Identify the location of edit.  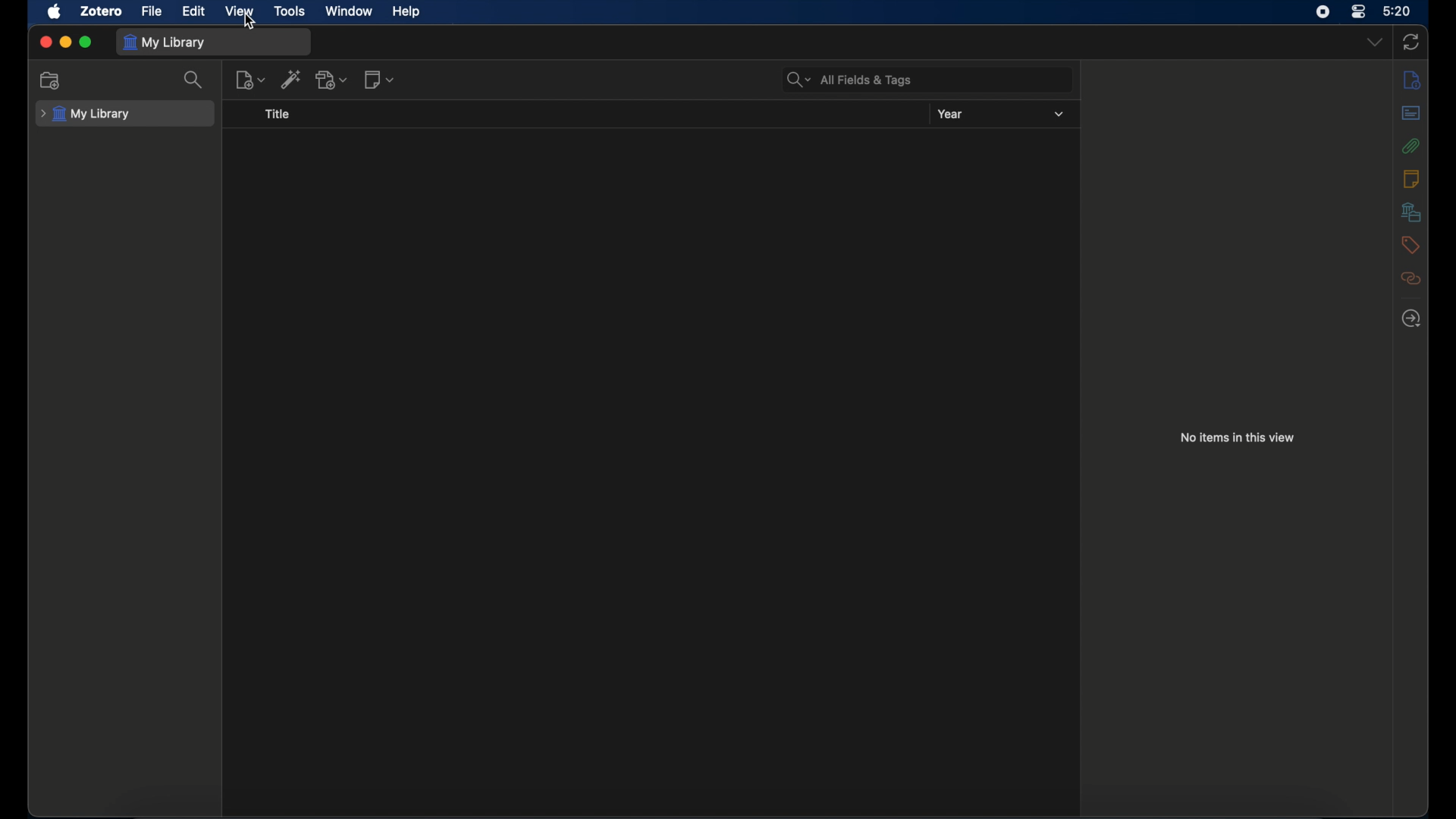
(196, 11).